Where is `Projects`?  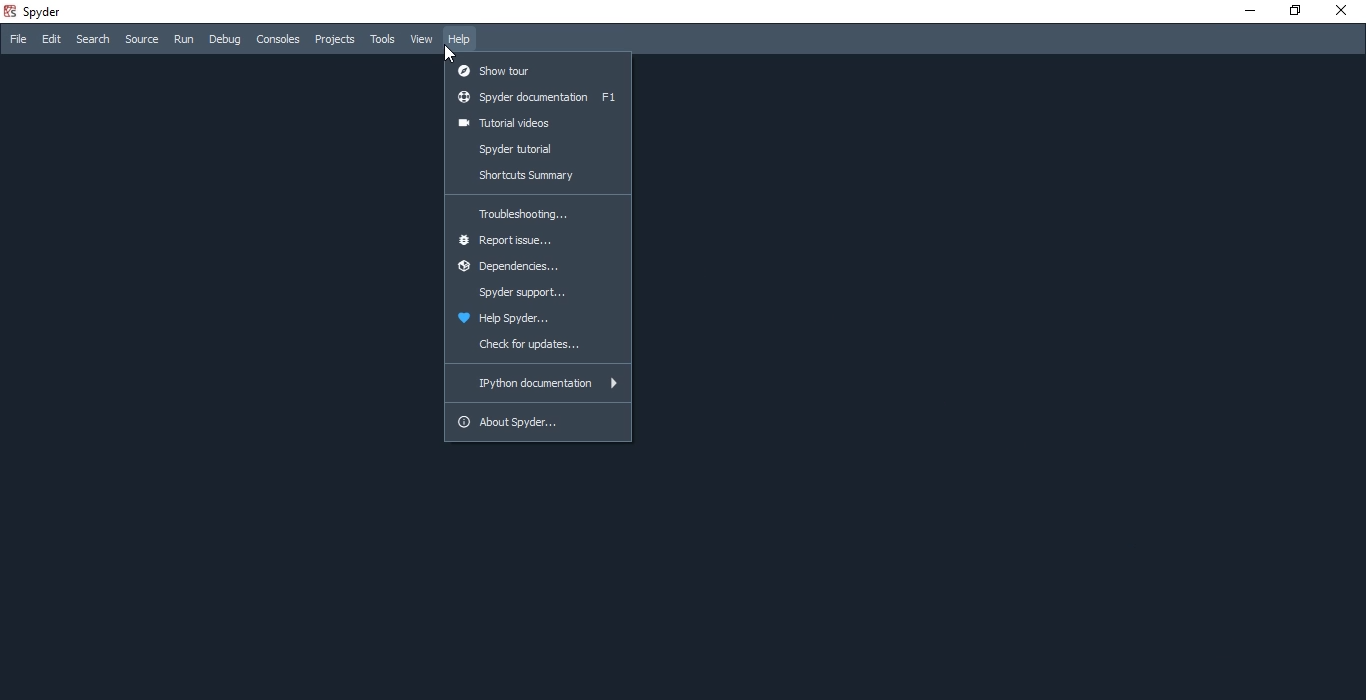 Projects is located at coordinates (336, 41).